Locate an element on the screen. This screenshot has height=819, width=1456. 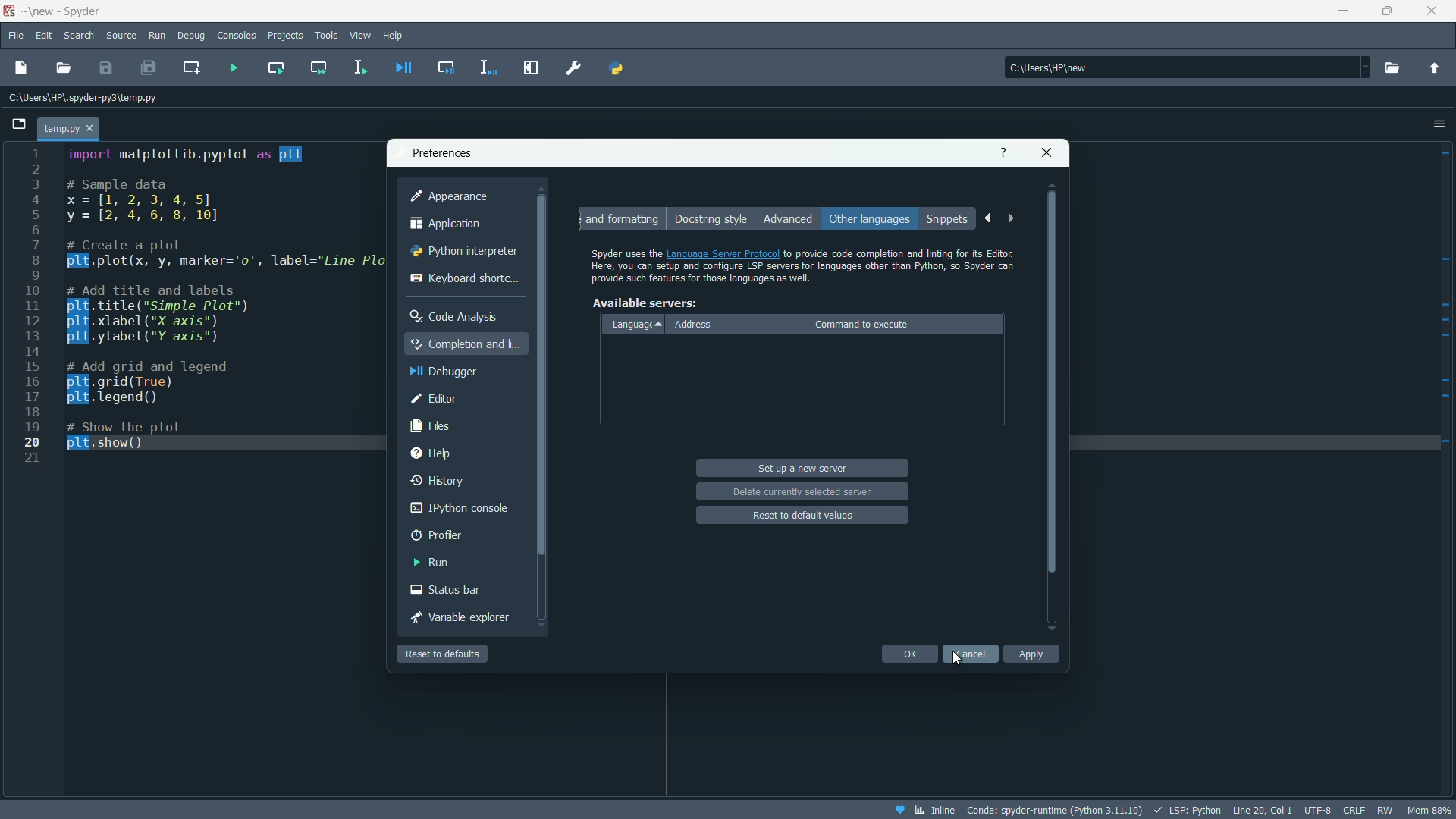
close app is located at coordinates (1436, 11).